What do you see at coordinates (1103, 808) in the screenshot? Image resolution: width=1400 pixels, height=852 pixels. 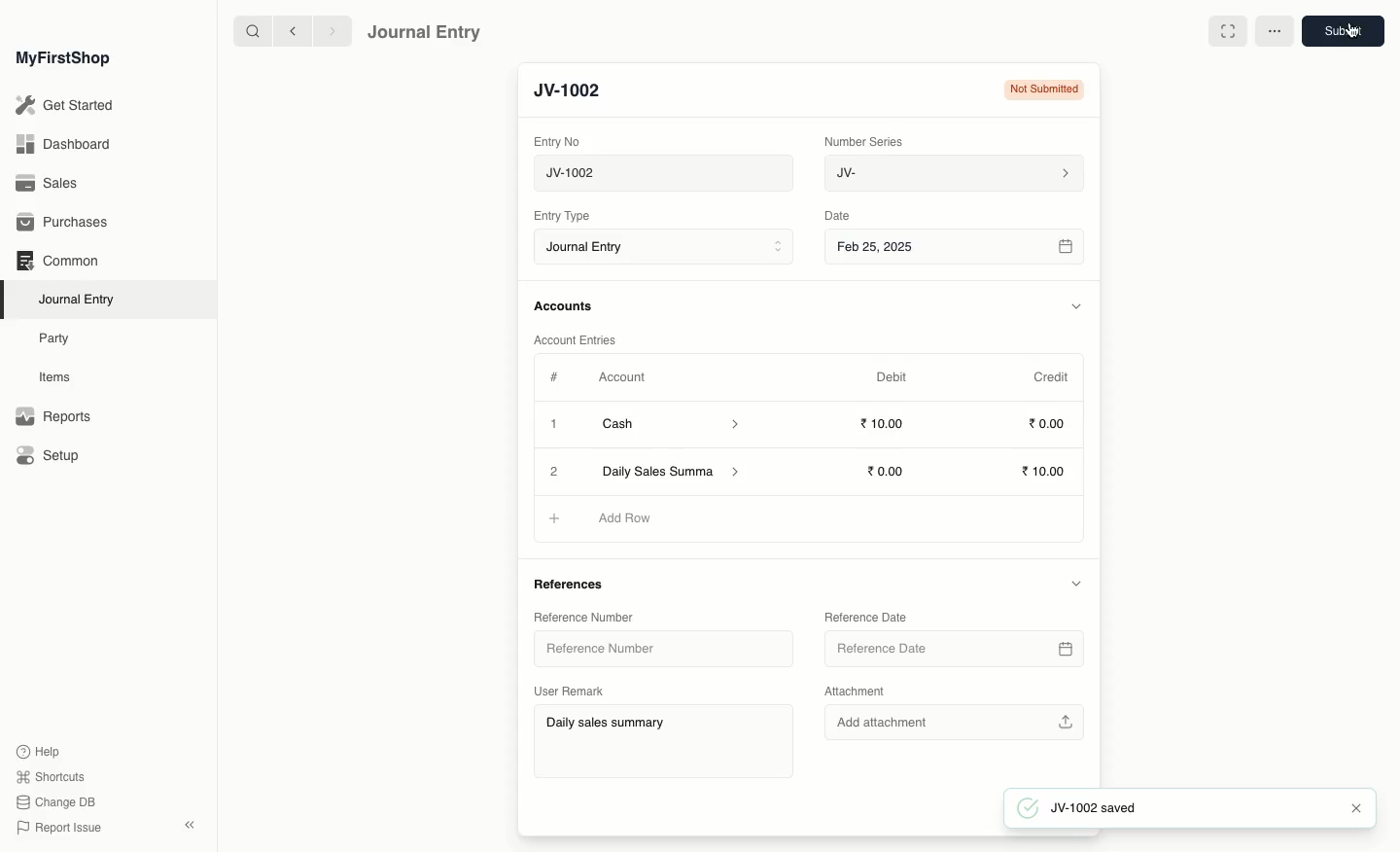 I see `JV-1002 saved` at bounding box center [1103, 808].